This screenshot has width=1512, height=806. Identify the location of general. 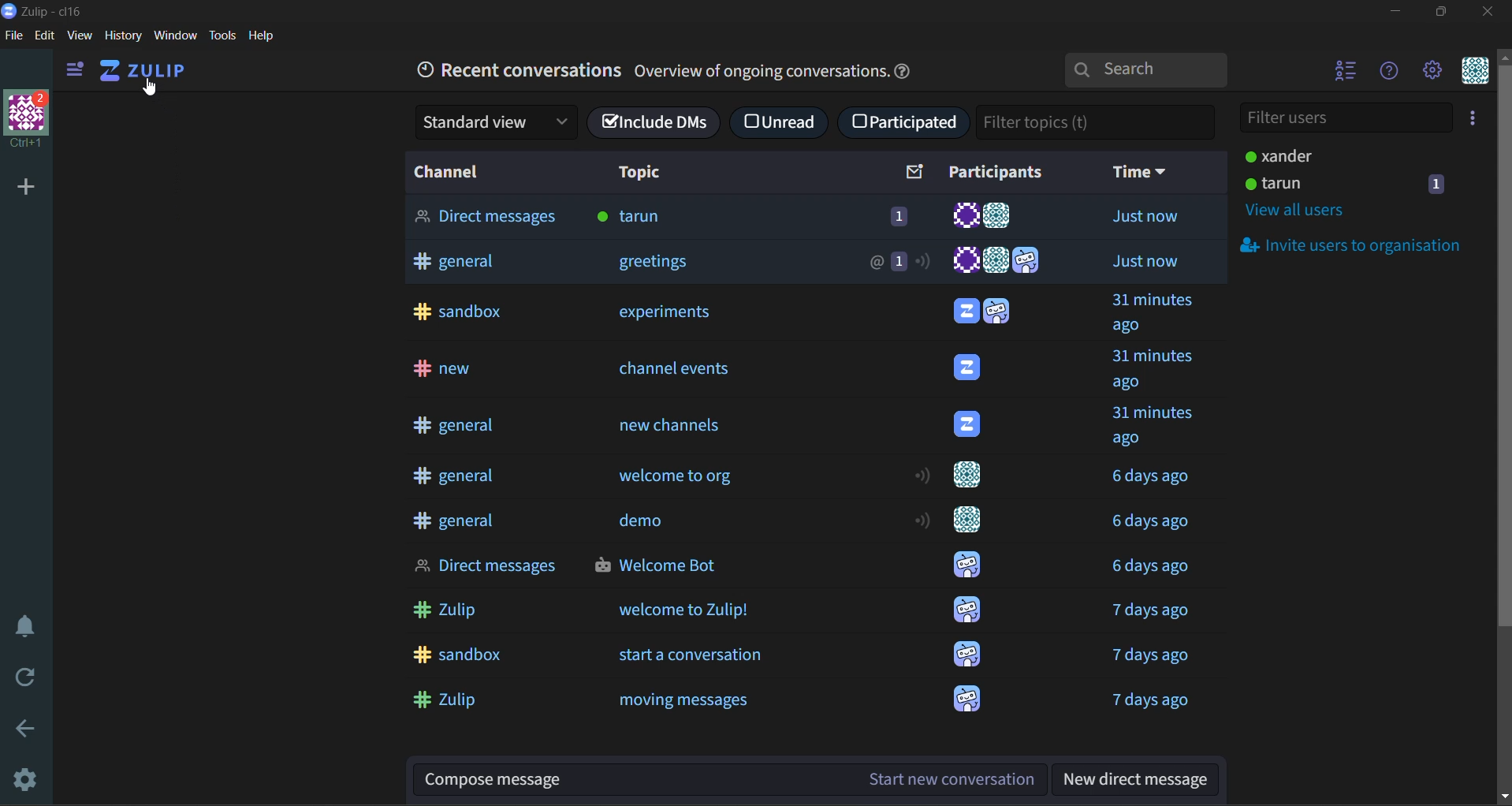
(463, 426).